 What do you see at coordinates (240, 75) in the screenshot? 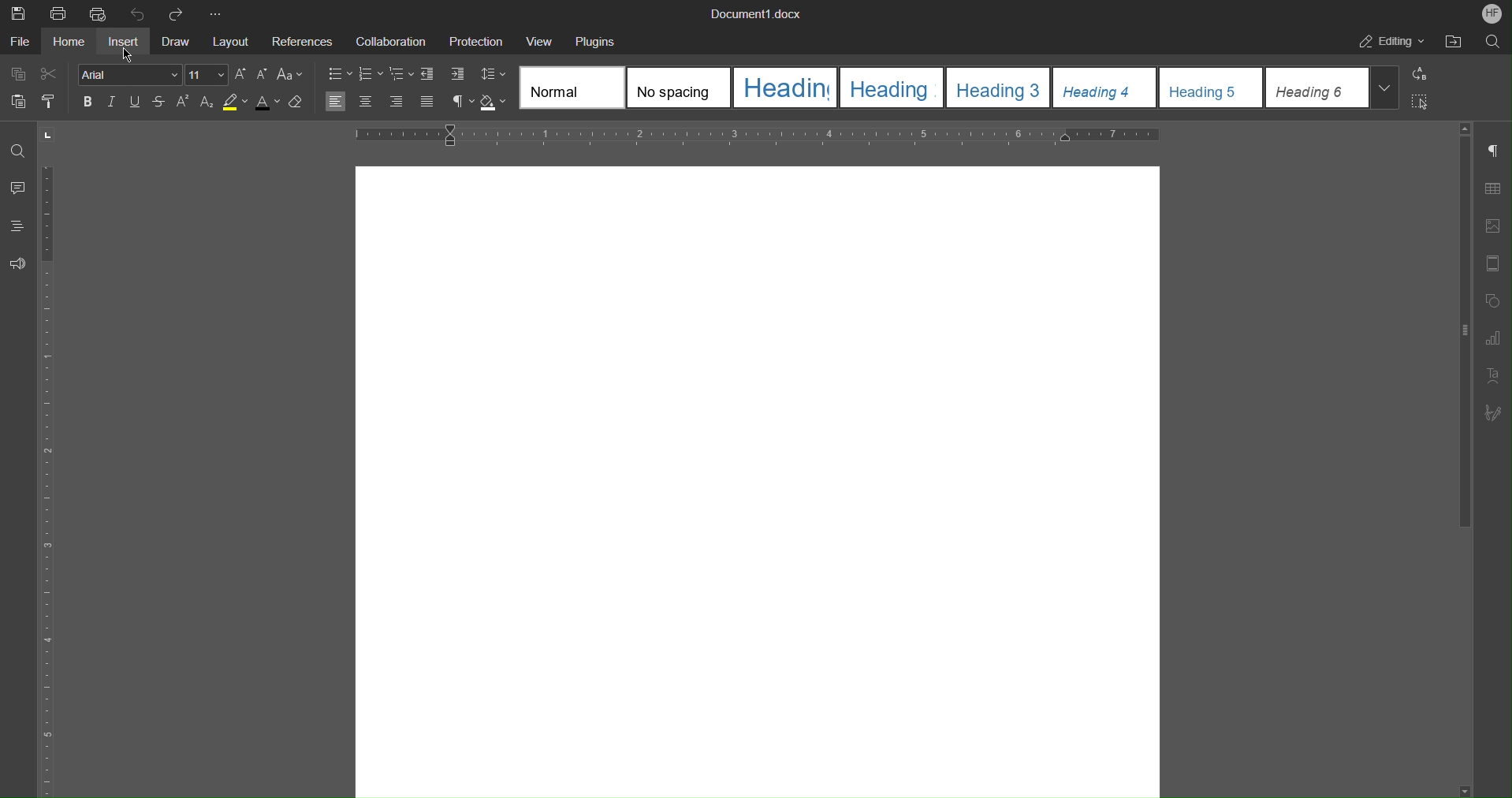
I see `Increase Font Size` at bounding box center [240, 75].